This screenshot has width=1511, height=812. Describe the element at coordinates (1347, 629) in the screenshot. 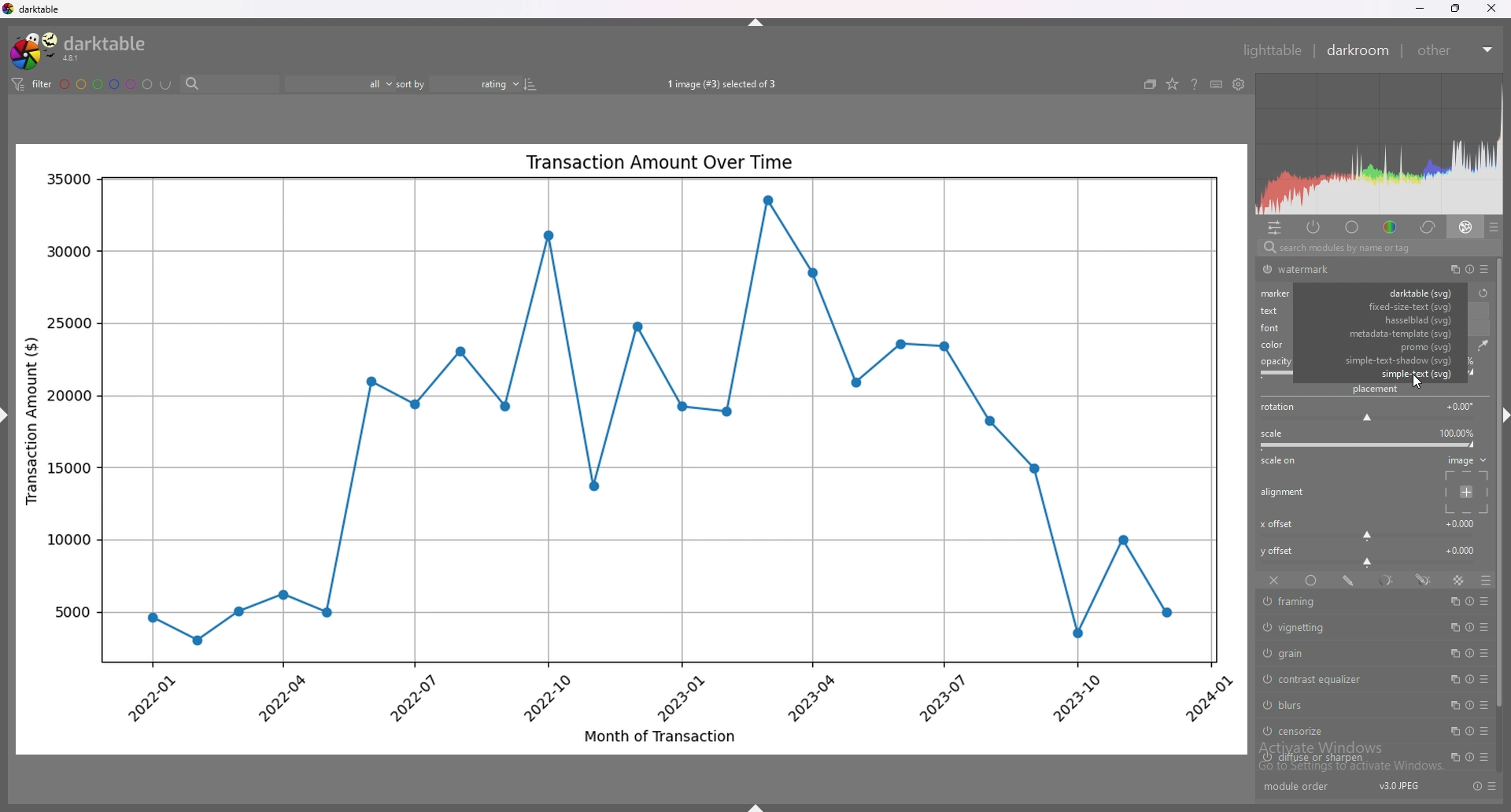

I see `vignetting` at that location.